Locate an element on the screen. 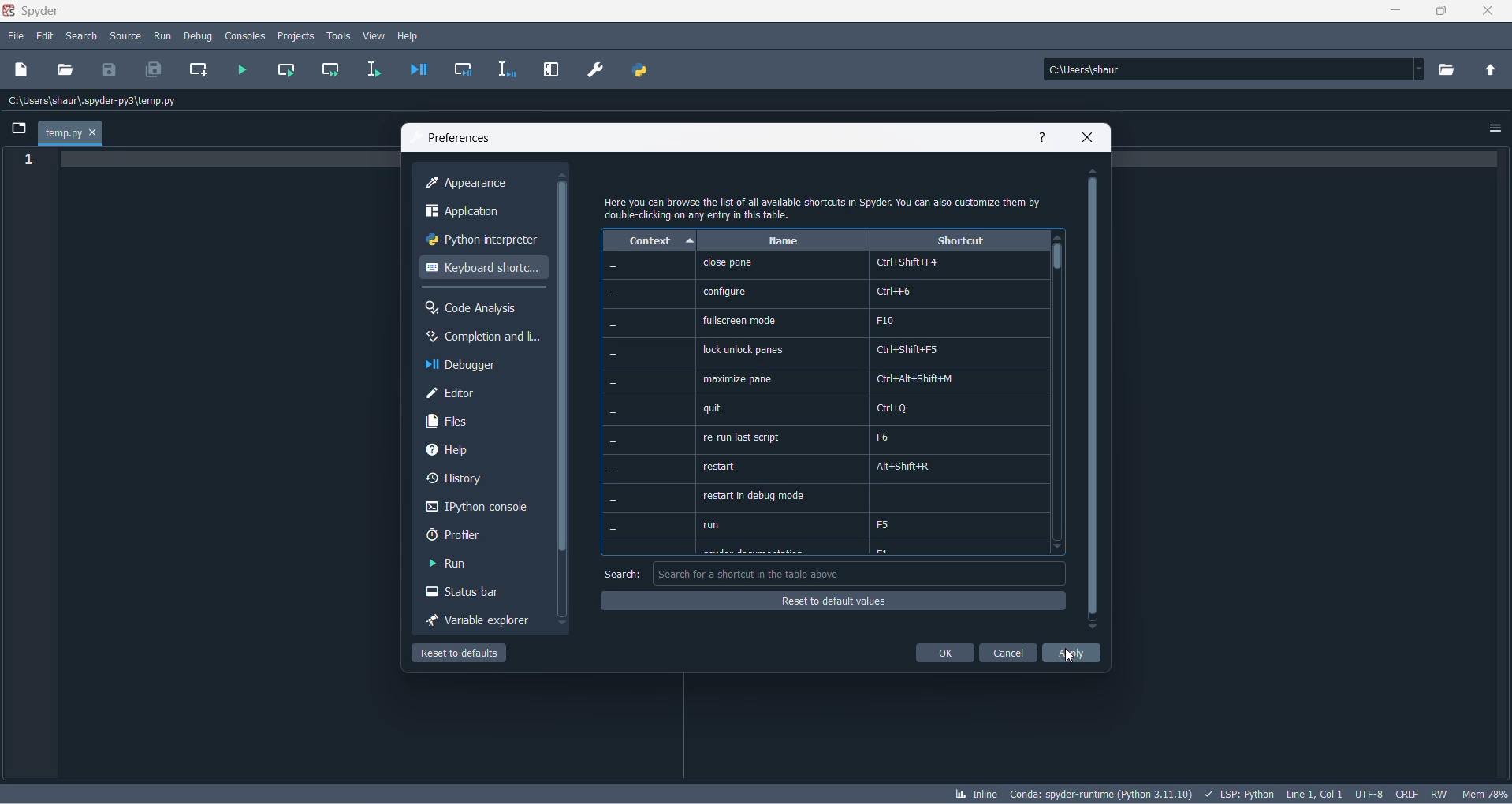 This screenshot has width=1512, height=804. run is located at coordinates (162, 34).